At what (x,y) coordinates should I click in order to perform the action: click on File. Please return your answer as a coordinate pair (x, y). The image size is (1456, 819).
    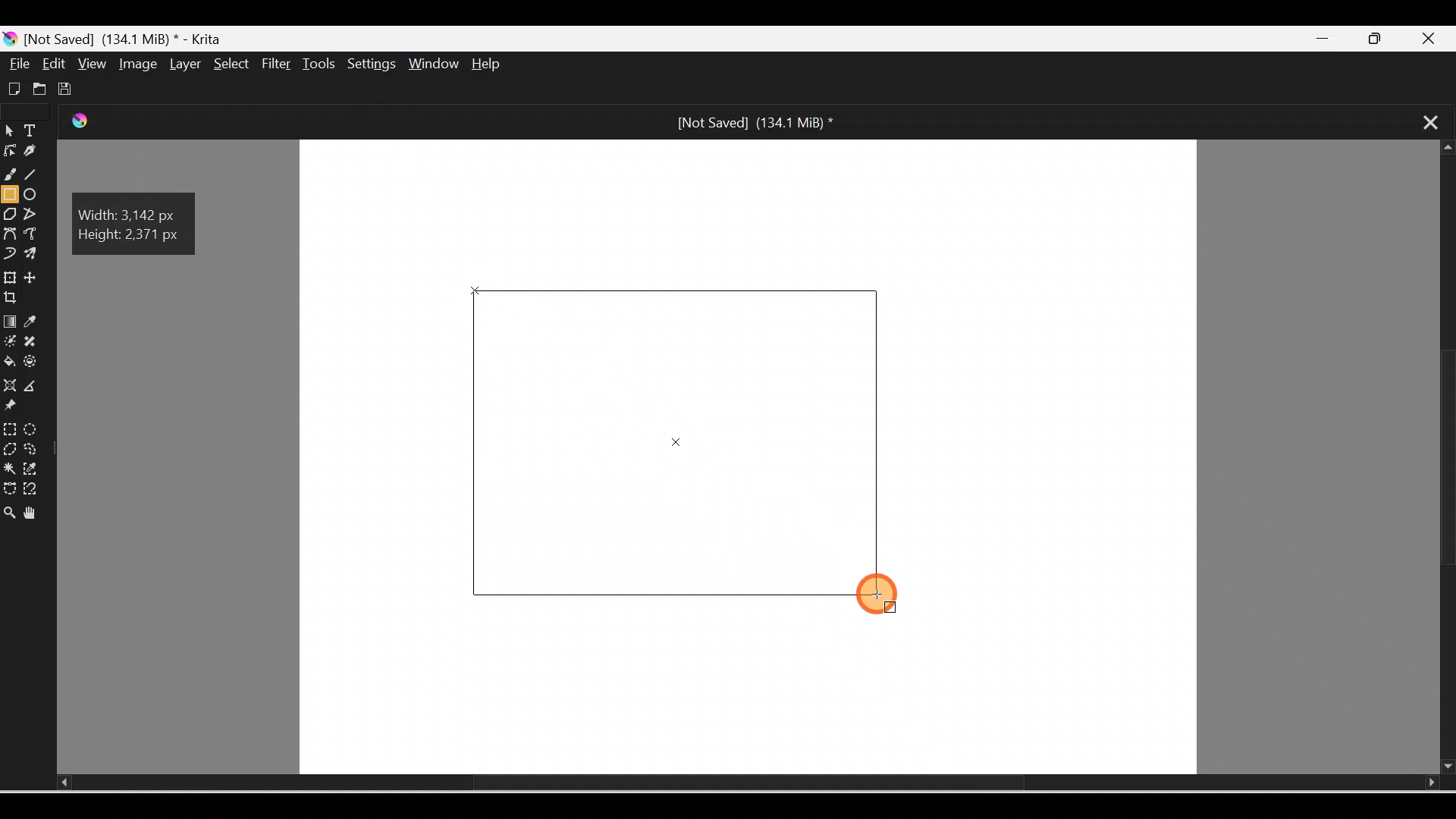
    Looking at the image, I should click on (20, 64).